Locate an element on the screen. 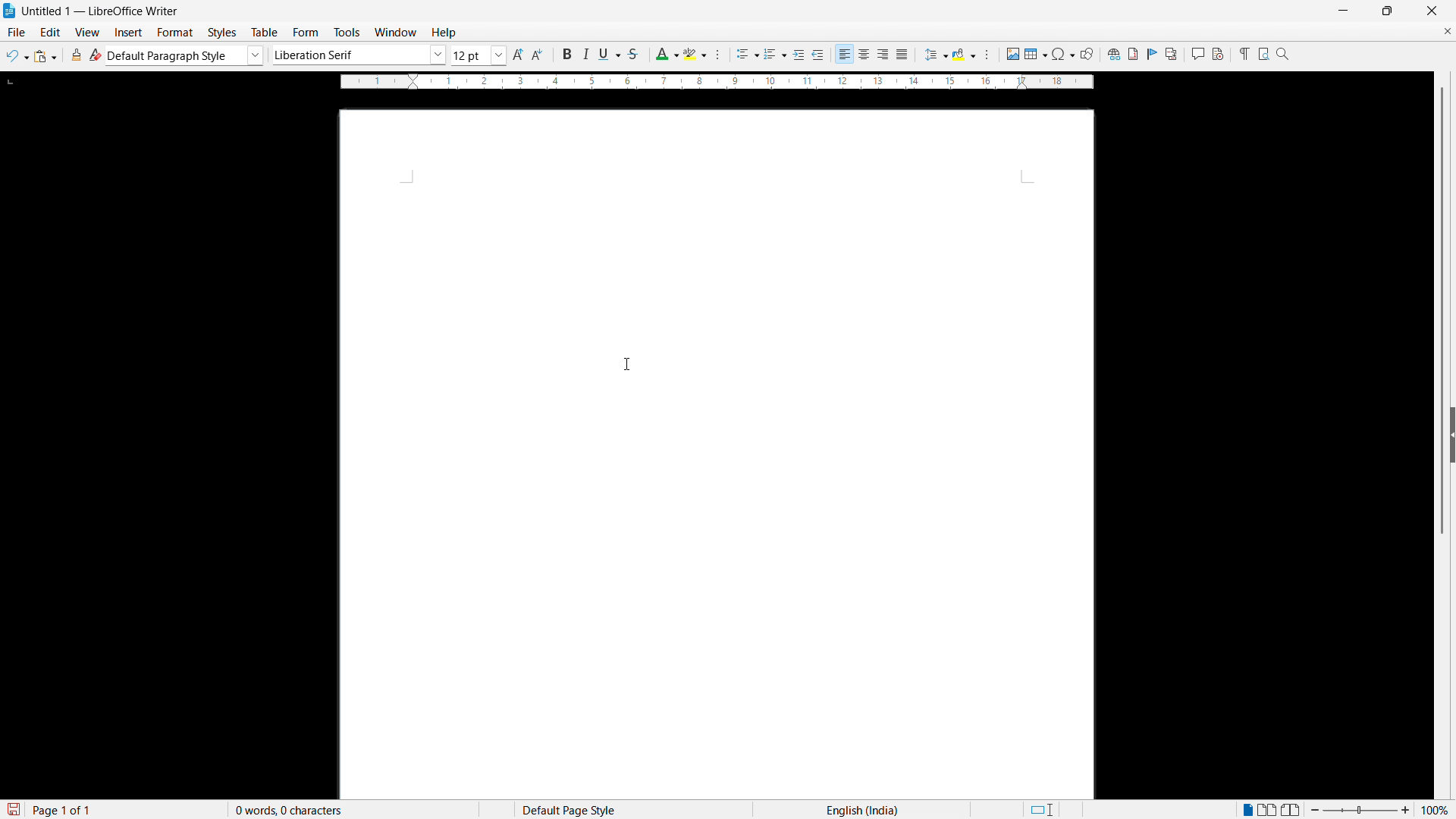  Bold  is located at coordinates (565, 54).